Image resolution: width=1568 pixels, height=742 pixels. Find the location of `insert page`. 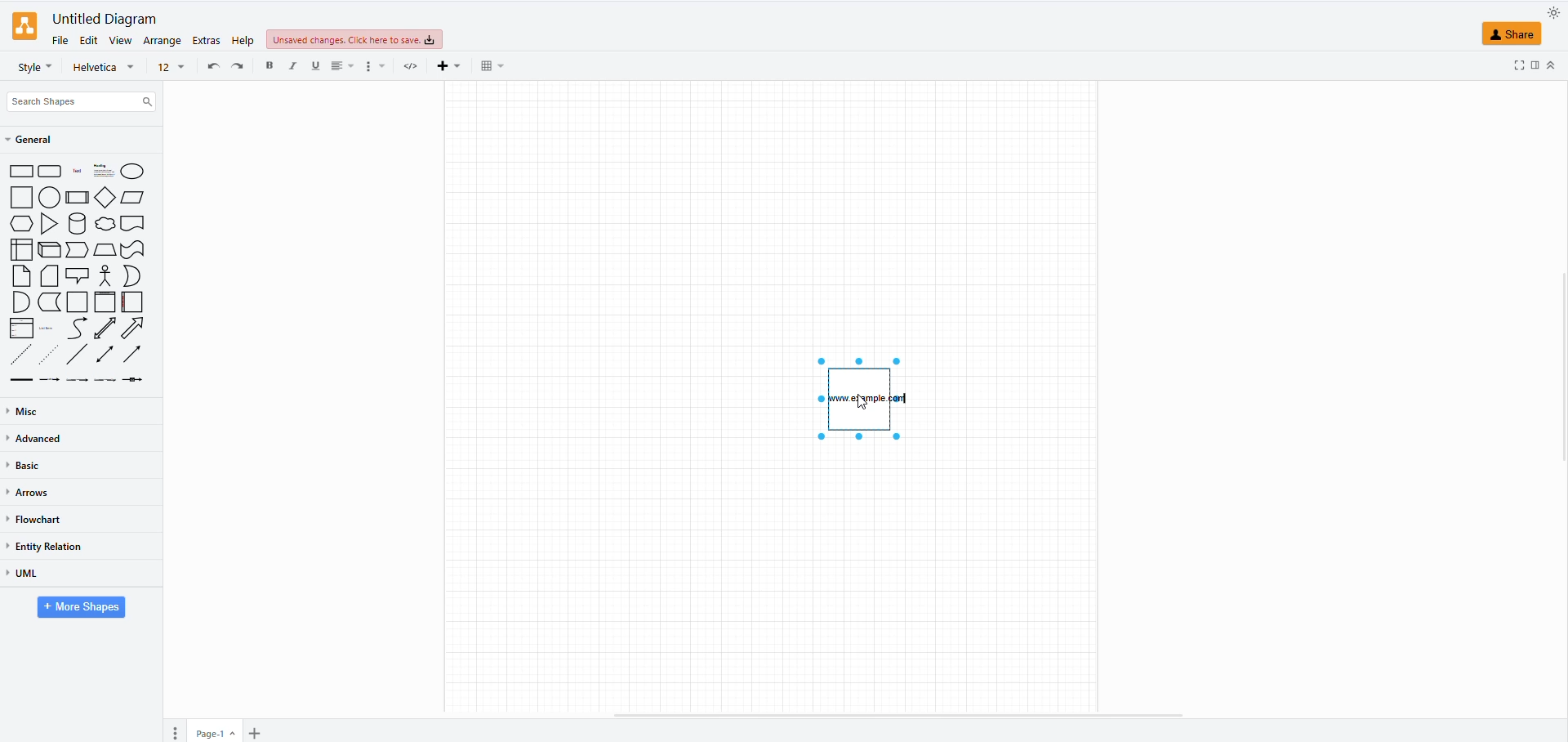

insert page is located at coordinates (253, 733).